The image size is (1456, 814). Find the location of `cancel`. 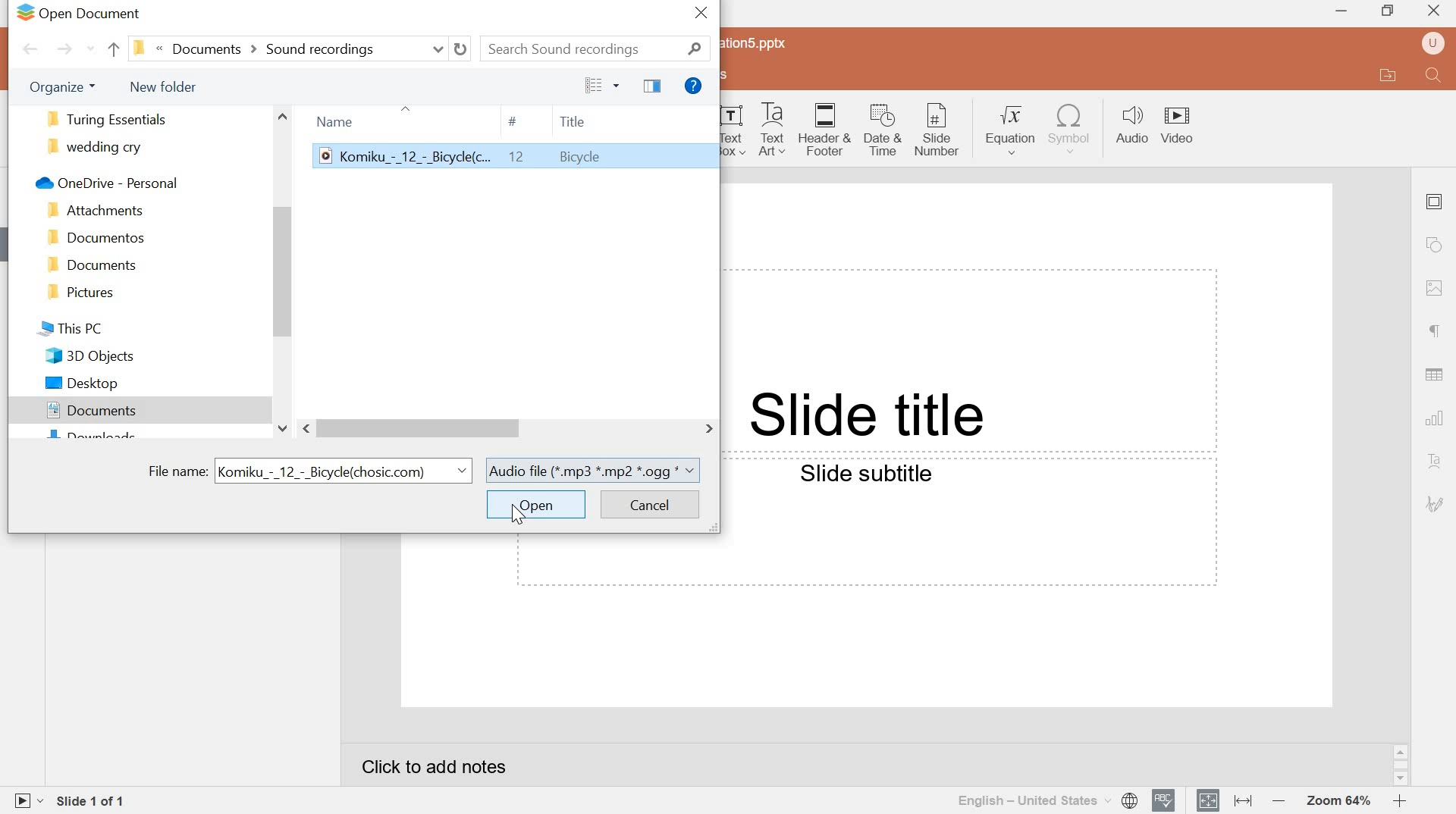

cancel is located at coordinates (650, 505).